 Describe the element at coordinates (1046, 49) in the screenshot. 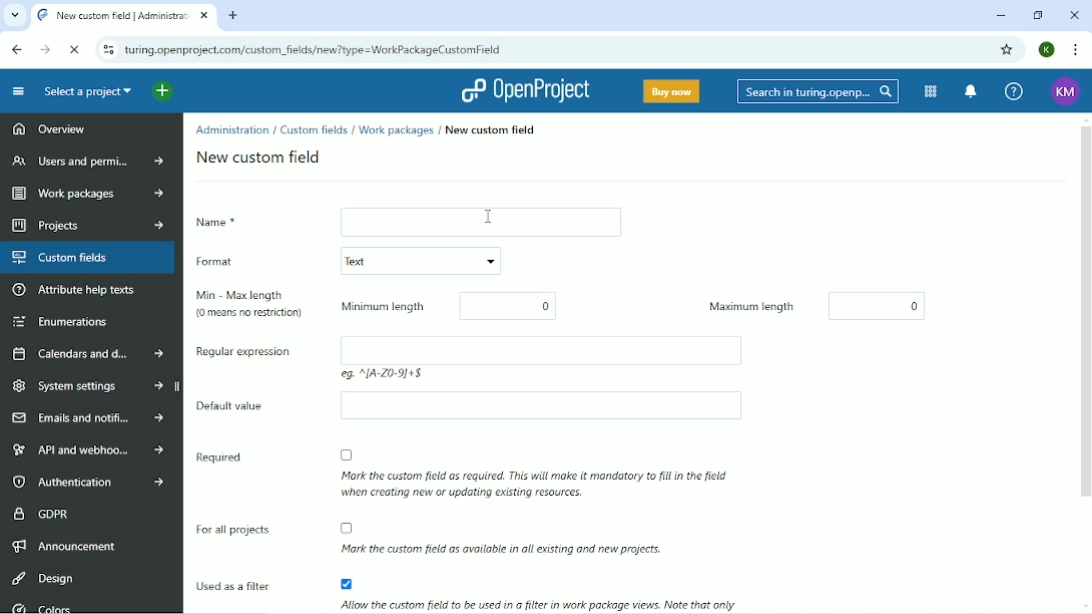

I see `Account` at that location.